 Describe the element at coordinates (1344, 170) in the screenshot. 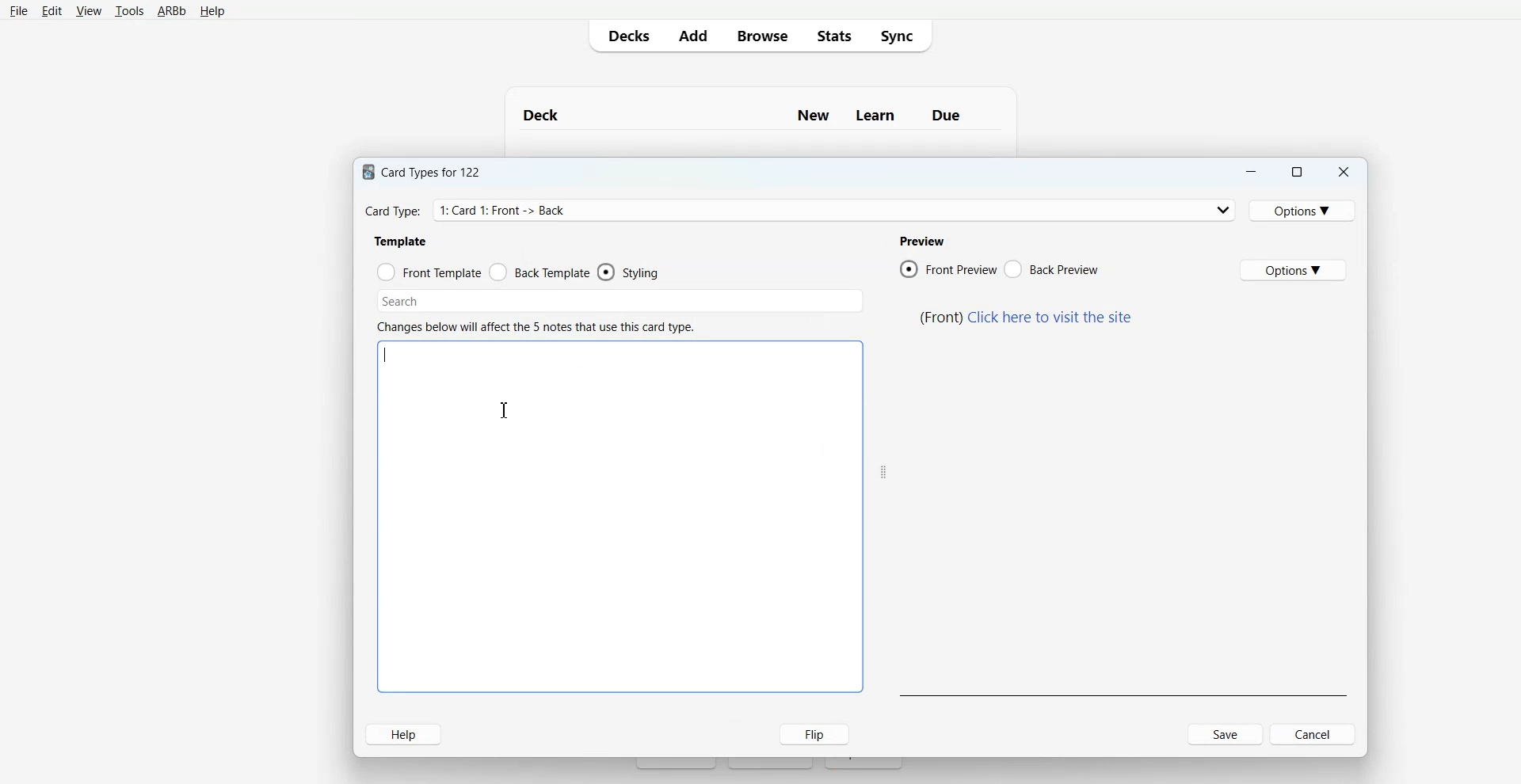

I see `Close` at that location.